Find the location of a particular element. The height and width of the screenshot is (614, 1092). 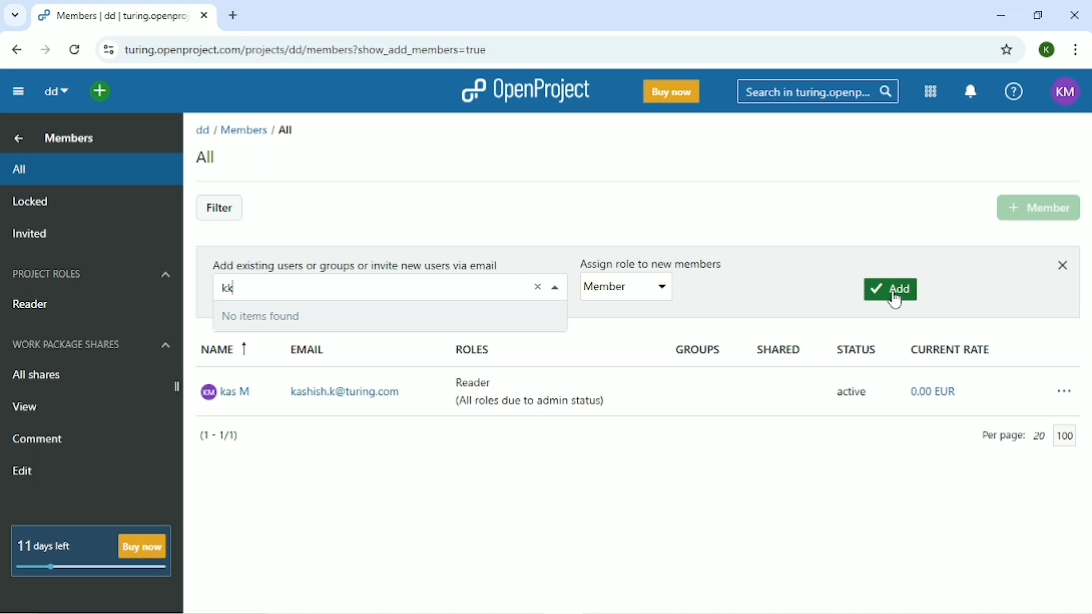

All is located at coordinates (90, 170).